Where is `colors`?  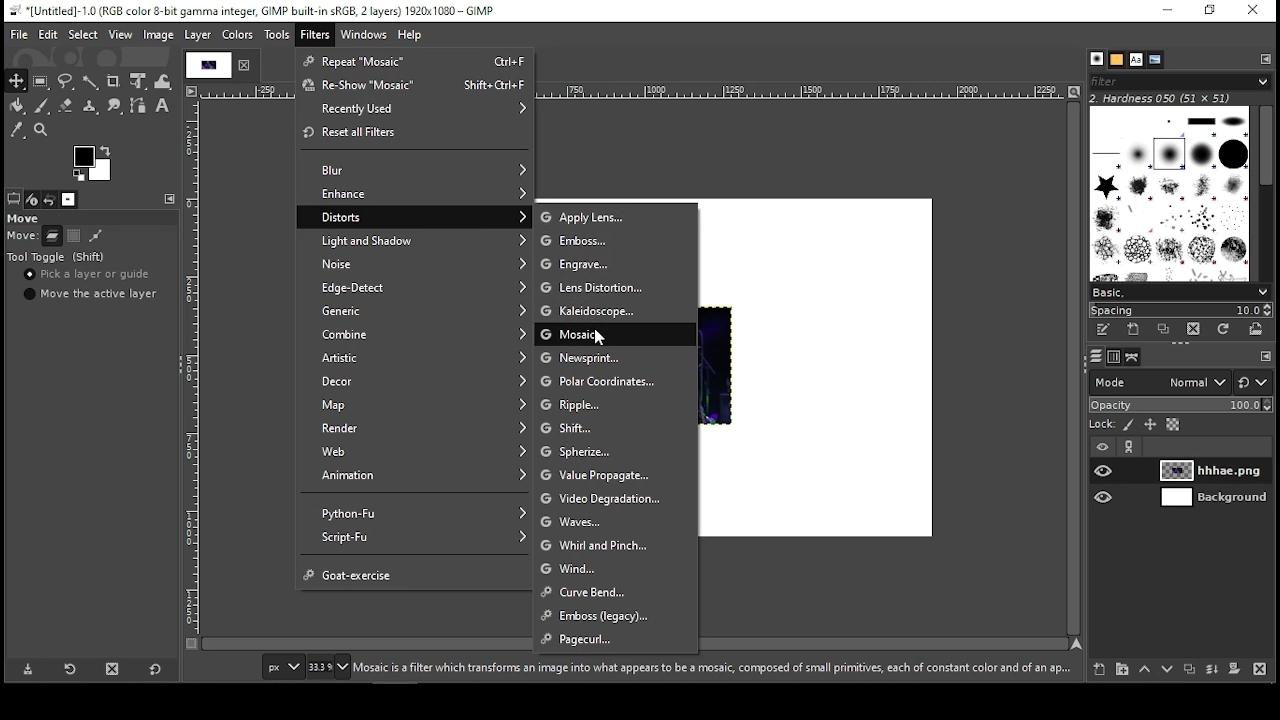 colors is located at coordinates (237, 35).